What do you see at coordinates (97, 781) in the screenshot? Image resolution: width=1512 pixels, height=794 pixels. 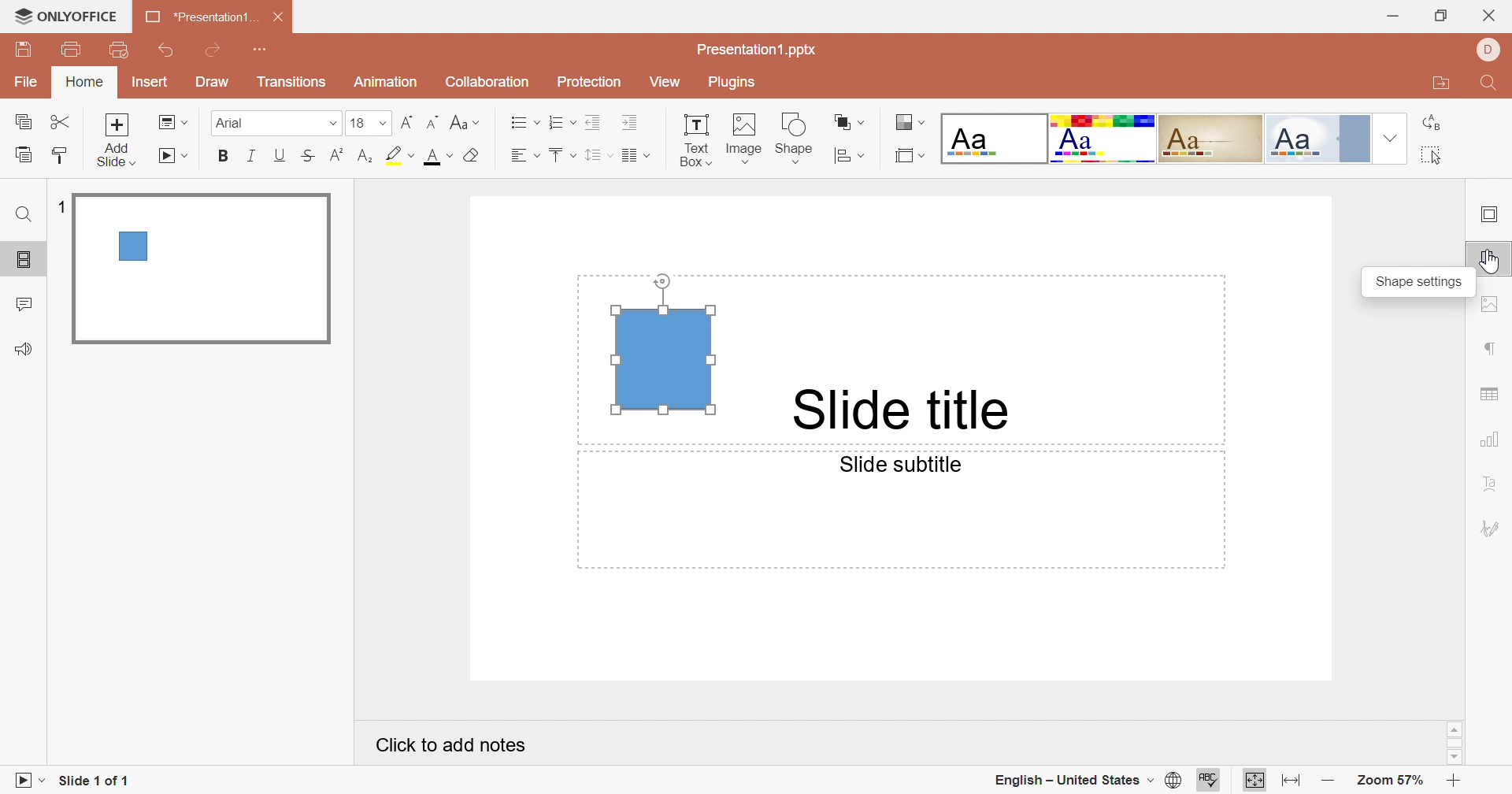 I see `Slide 1 of 1` at bounding box center [97, 781].